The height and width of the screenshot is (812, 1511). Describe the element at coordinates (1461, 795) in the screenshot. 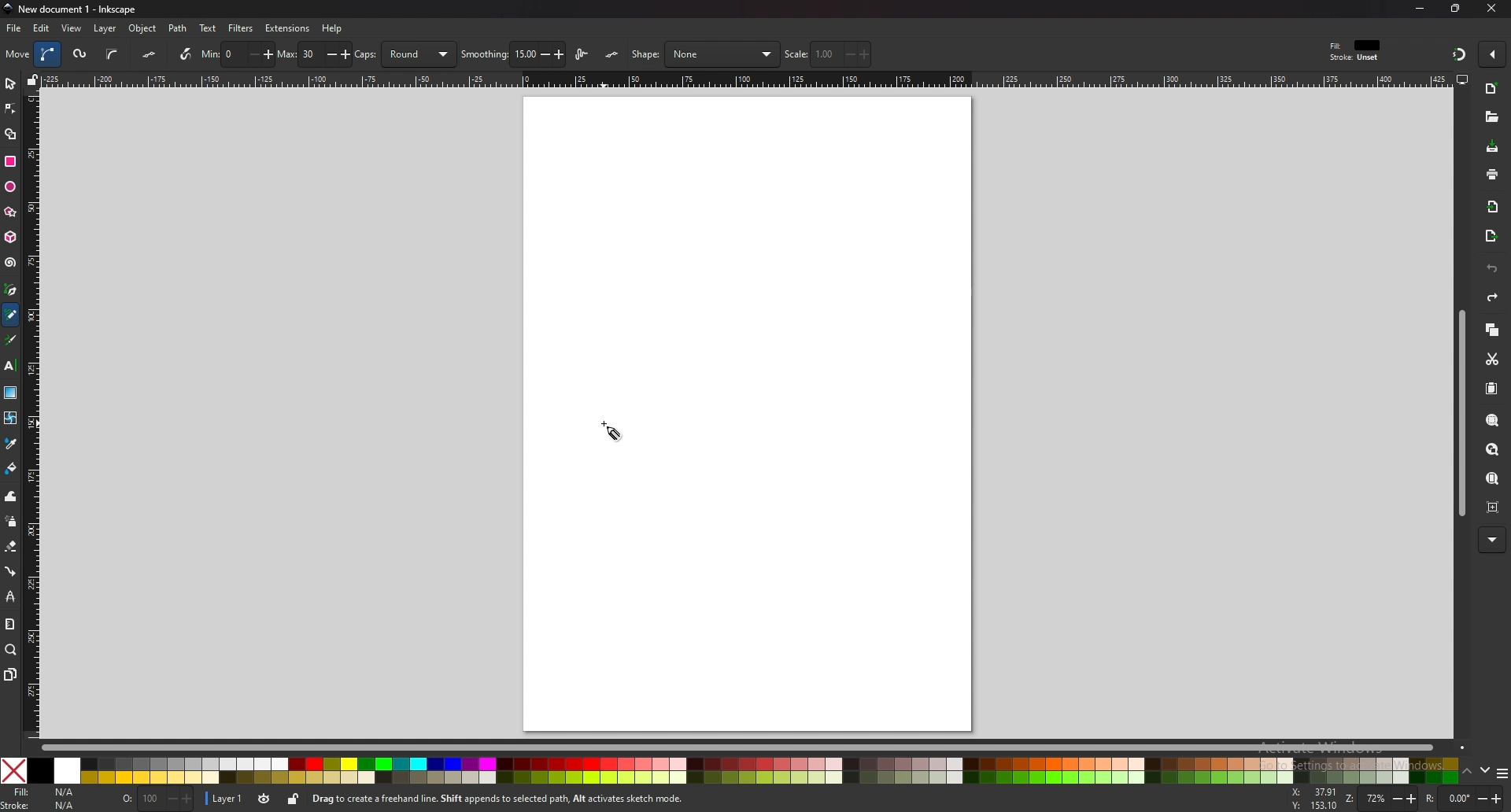

I see `rotation` at that location.